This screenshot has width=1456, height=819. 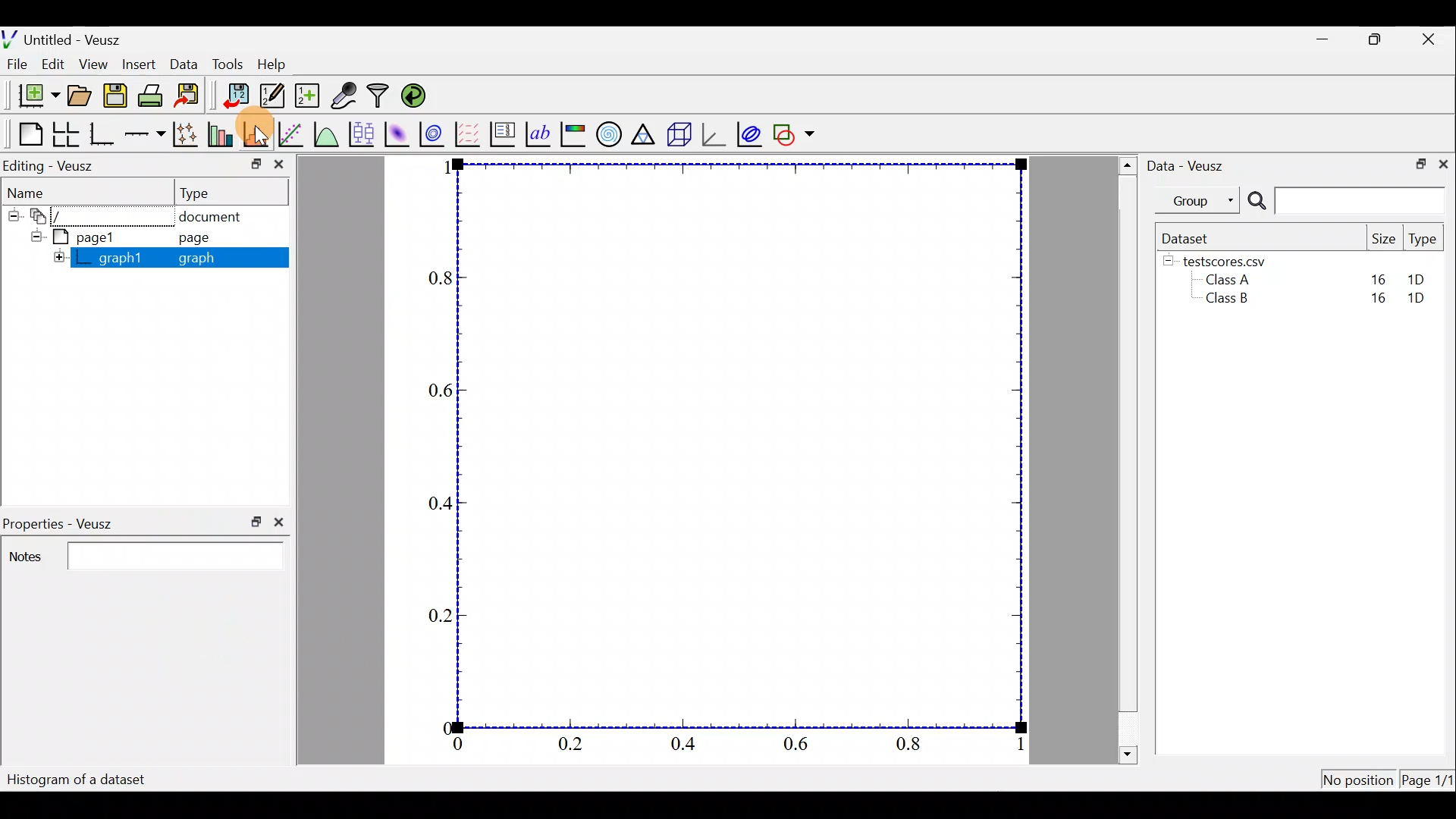 I want to click on page, so click(x=203, y=240).